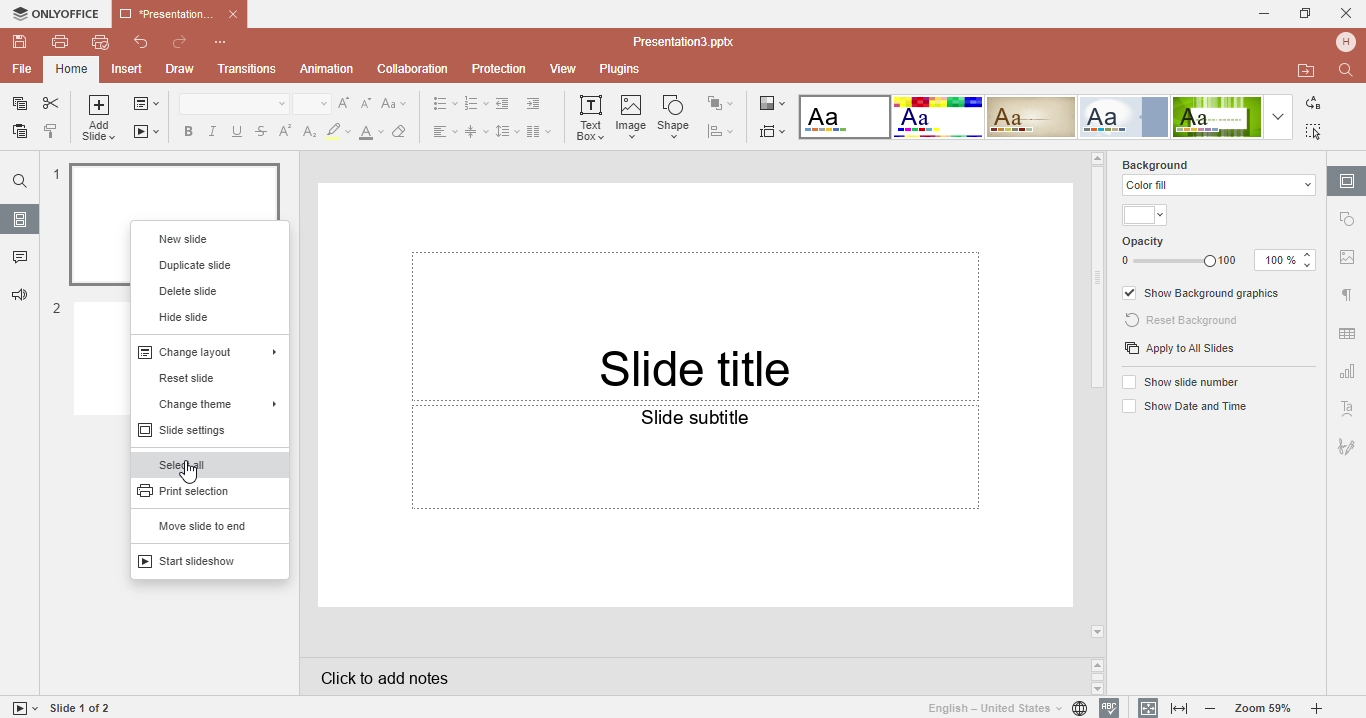 This screenshot has width=1366, height=718. Describe the element at coordinates (1264, 708) in the screenshot. I see `Zoom` at that location.